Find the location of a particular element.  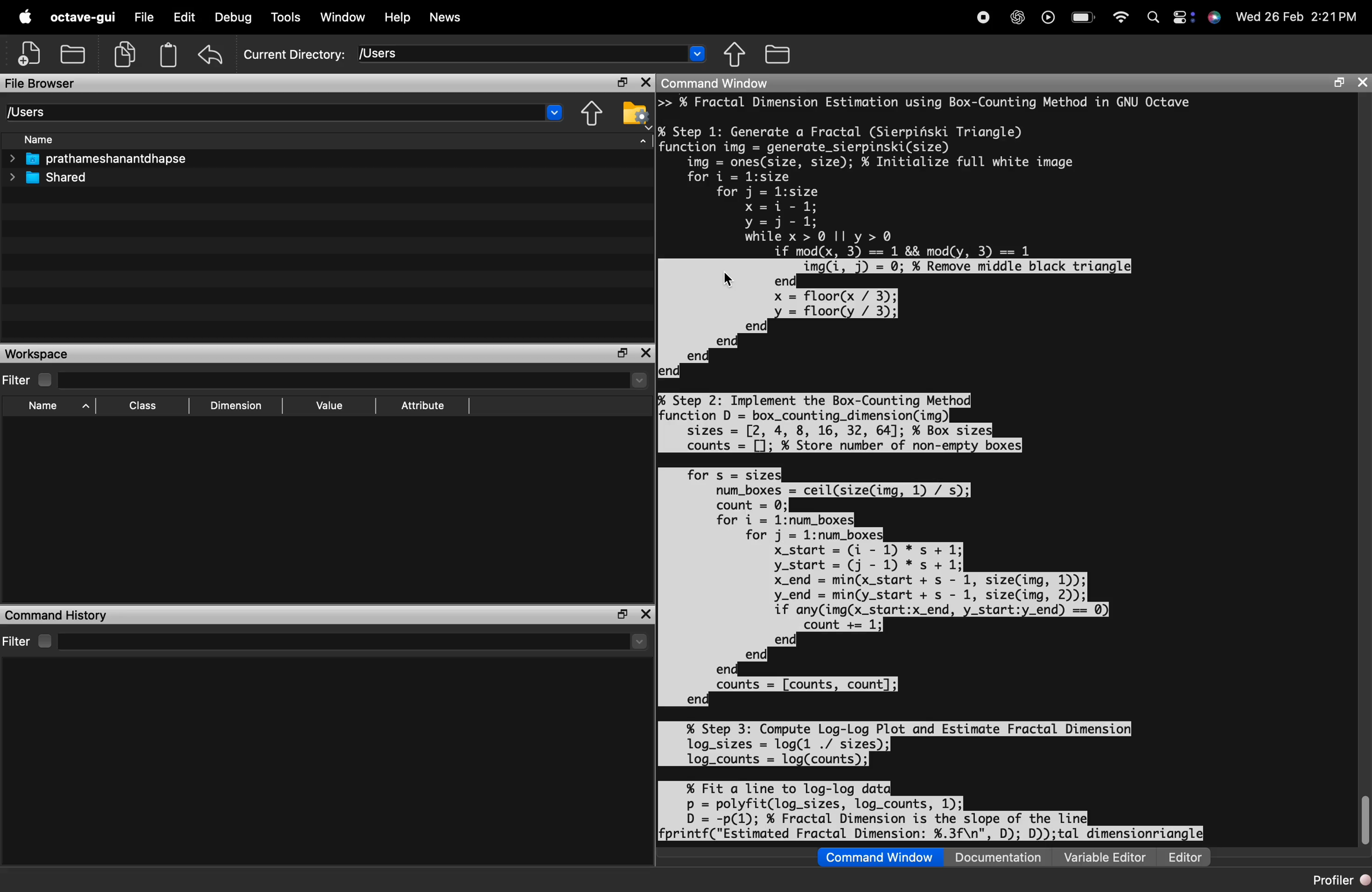

code to generate a fractal is located at coordinates (953, 248).